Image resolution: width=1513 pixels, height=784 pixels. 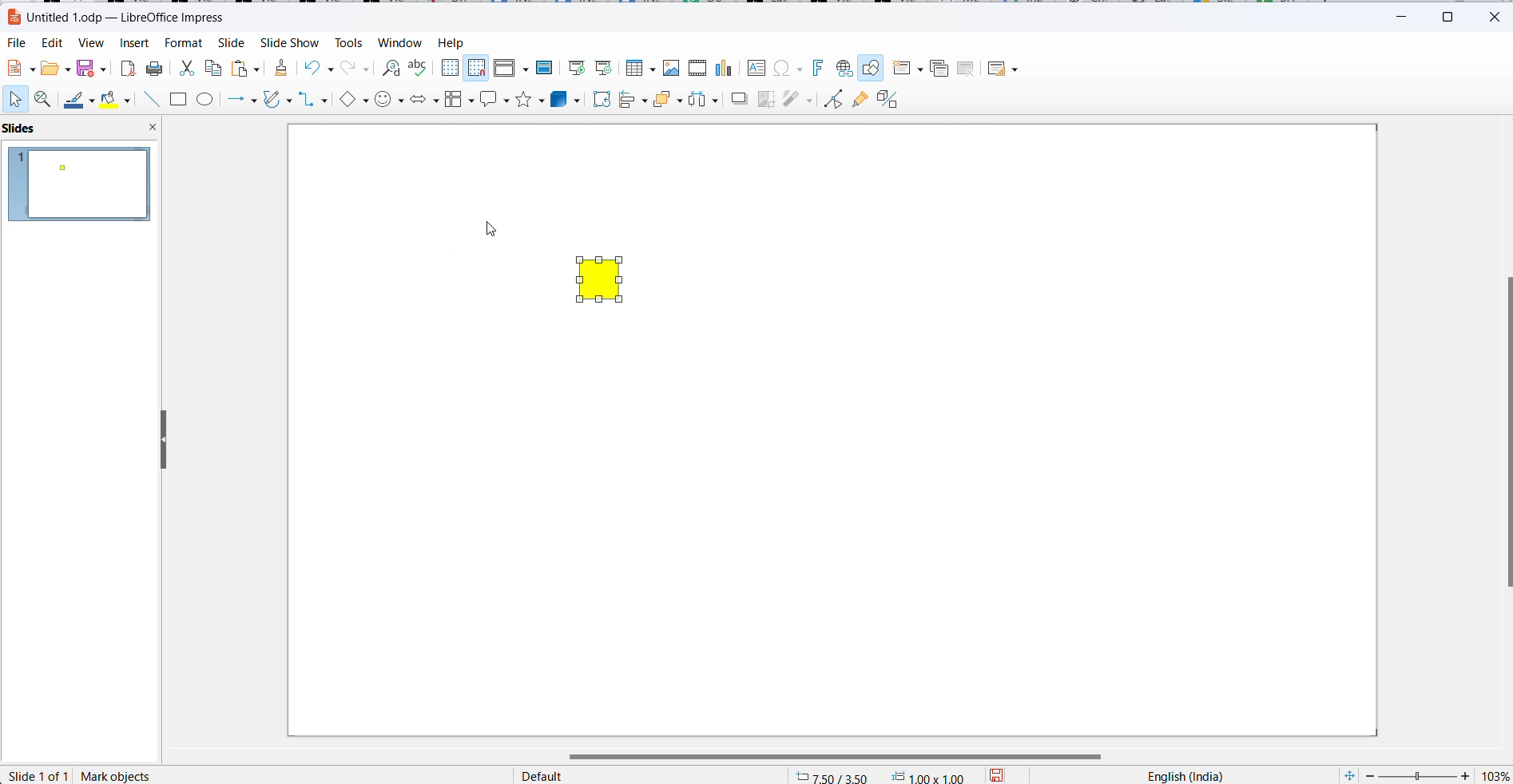 I want to click on basic shapes, so click(x=352, y=101).